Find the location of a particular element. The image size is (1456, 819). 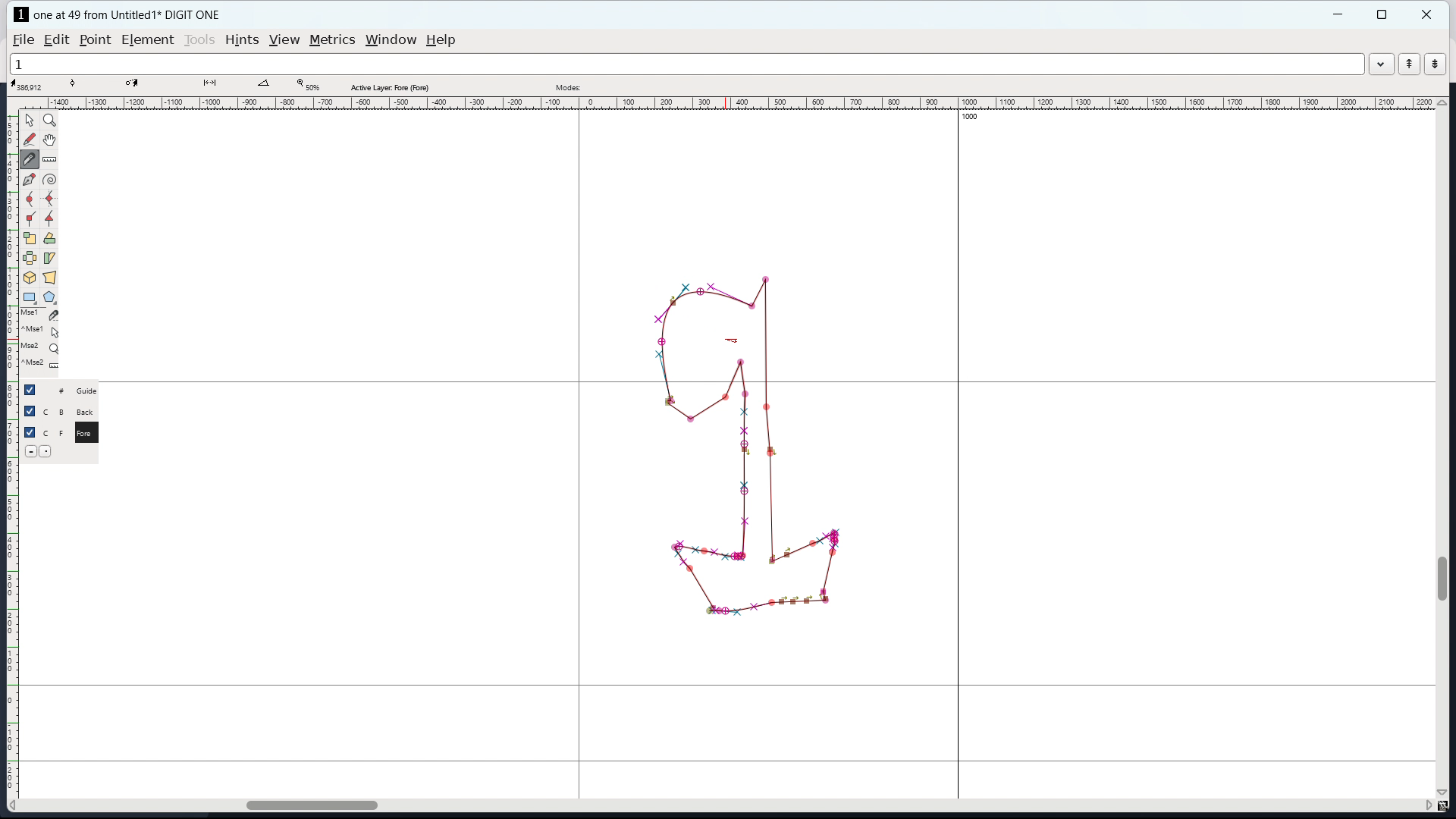

scroll left is located at coordinates (16, 805).